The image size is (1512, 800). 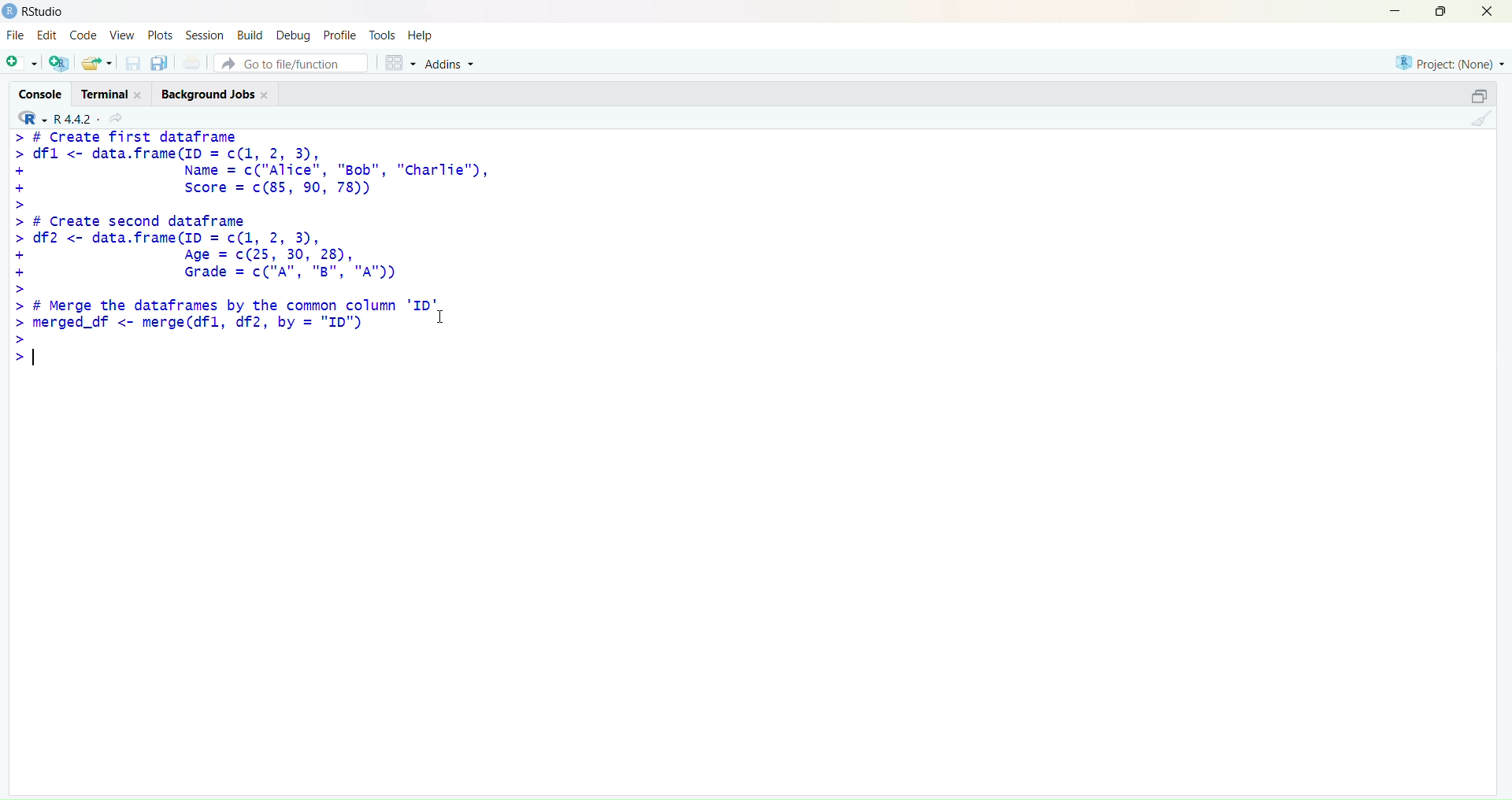 I want to click on # Merge the dataframes by the common column 'ID'
merged_df <- merge(dfl, df2, by = "ID"), so click(x=224, y=332).